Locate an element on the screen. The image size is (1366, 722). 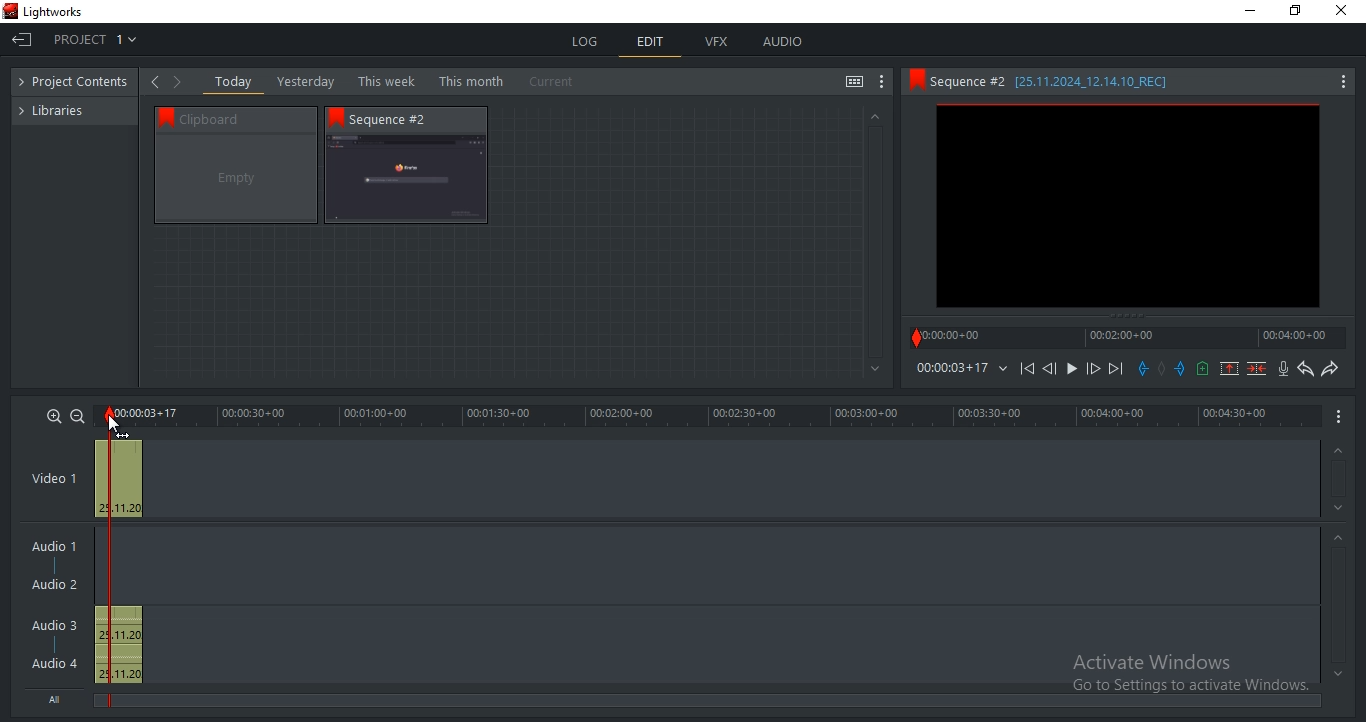
record audio is located at coordinates (1285, 369).